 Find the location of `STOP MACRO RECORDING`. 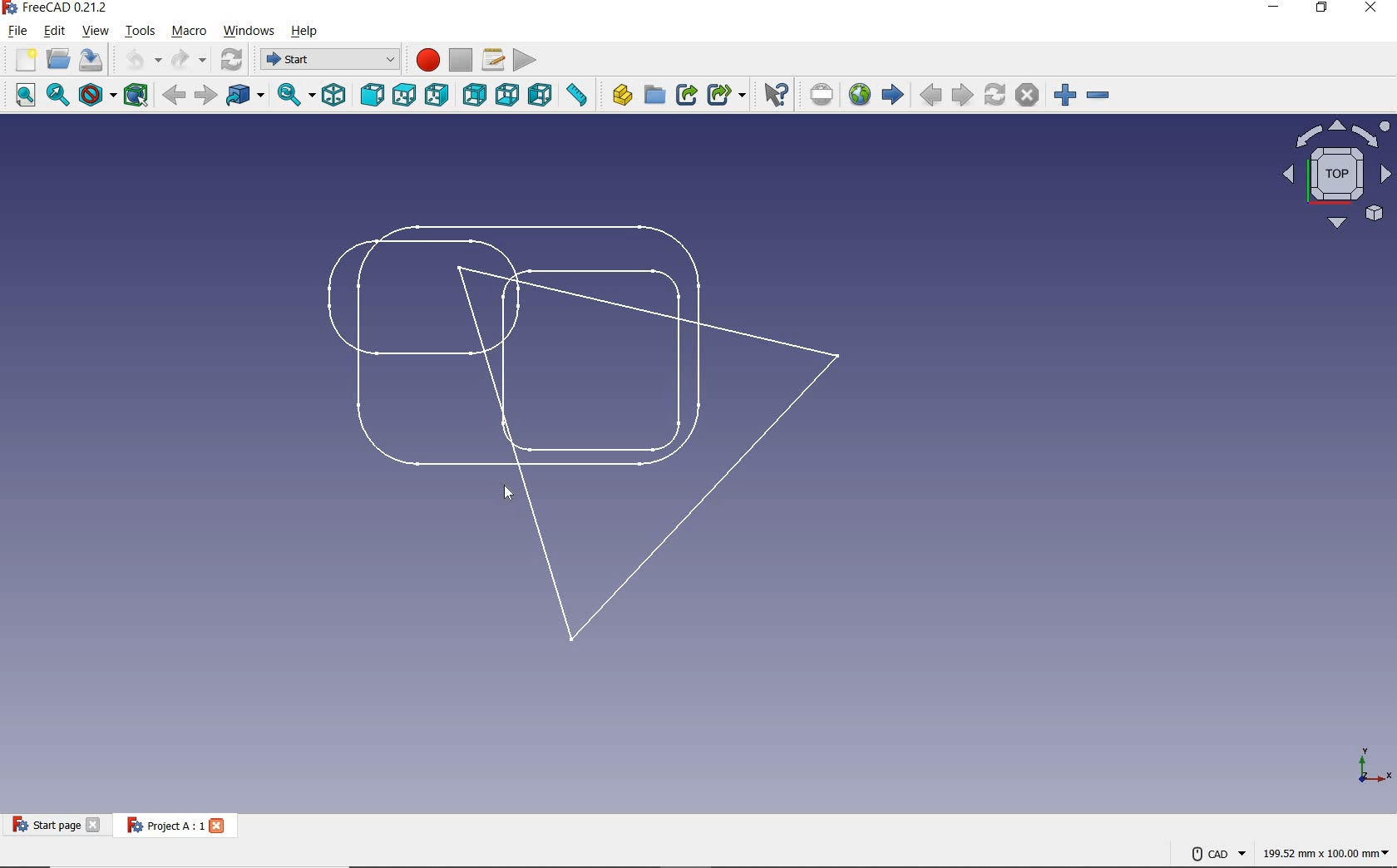

STOP MACRO RECORDING is located at coordinates (460, 59).